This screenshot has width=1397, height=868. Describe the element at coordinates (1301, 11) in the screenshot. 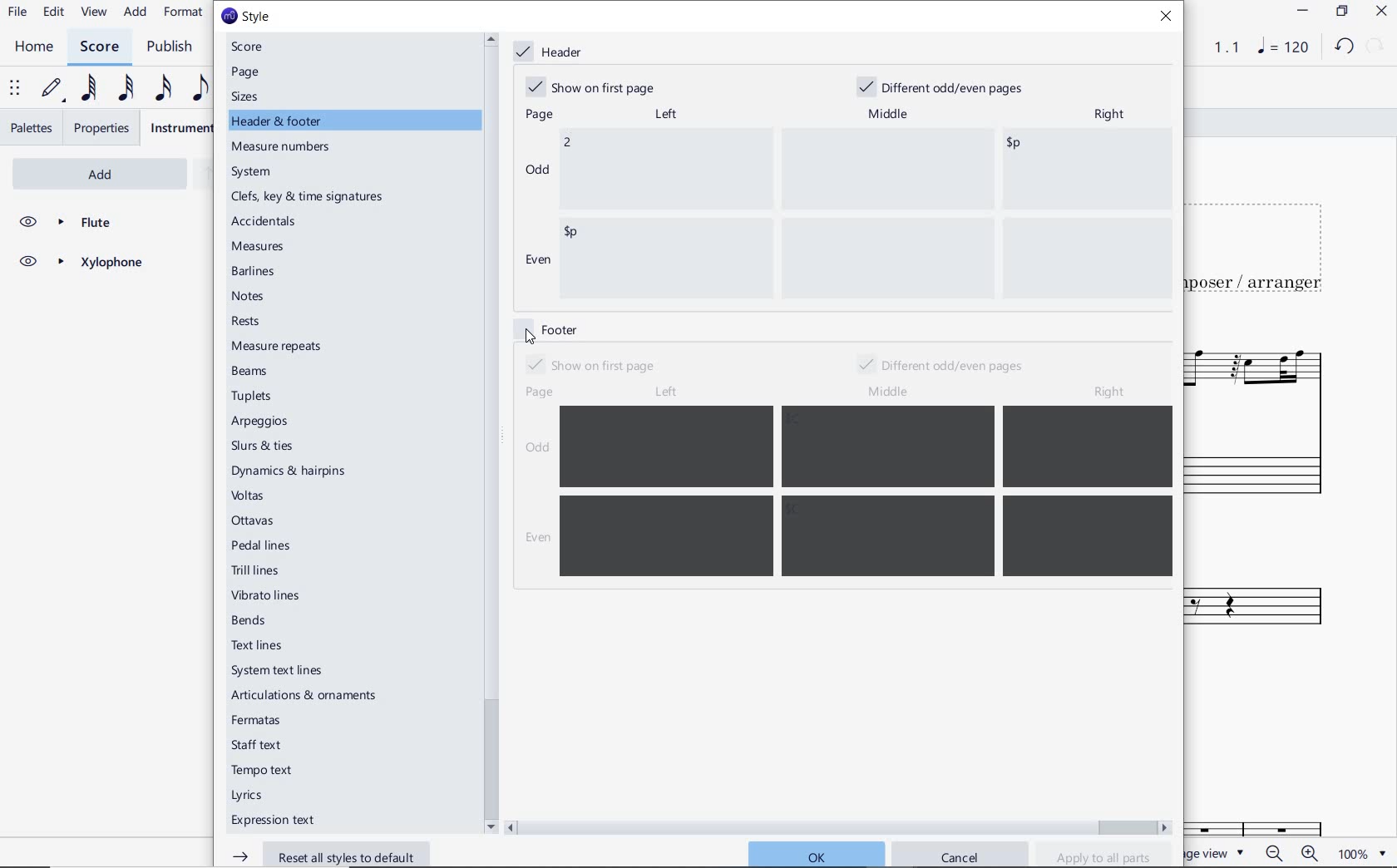

I see `MINIMIZE` at that location.